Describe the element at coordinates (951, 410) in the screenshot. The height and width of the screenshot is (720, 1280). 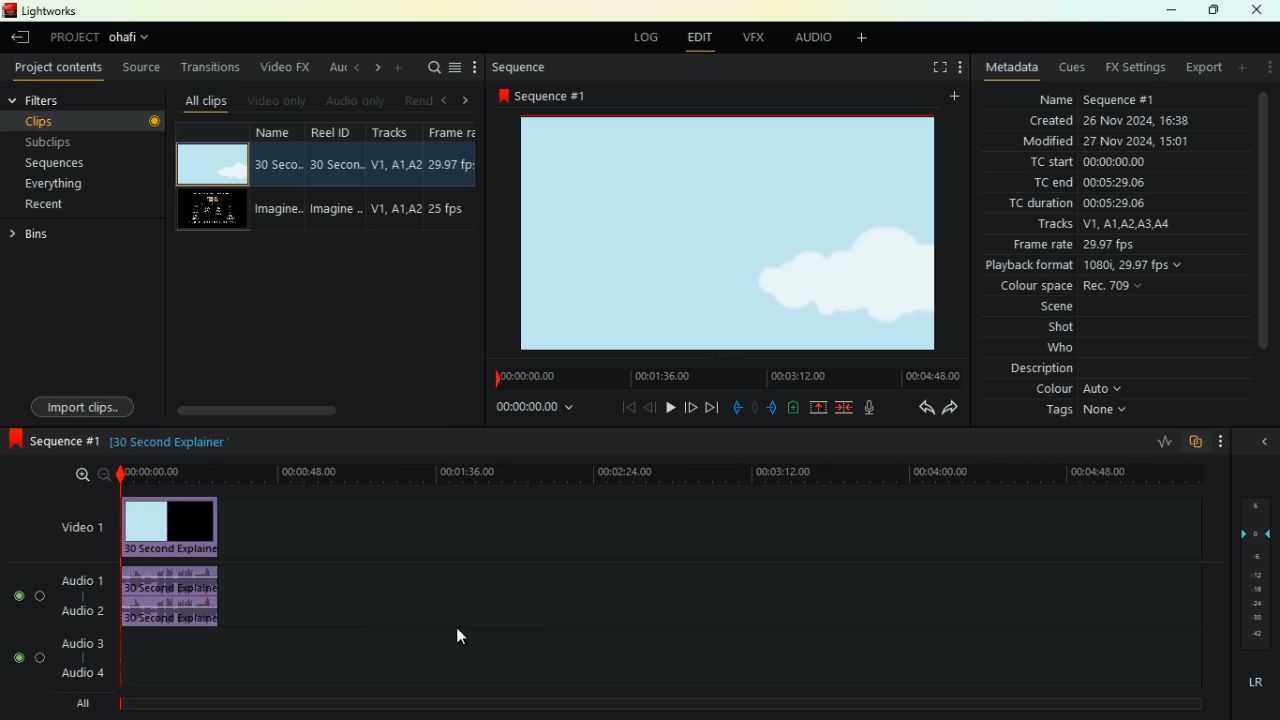
I see `forward` at that location.